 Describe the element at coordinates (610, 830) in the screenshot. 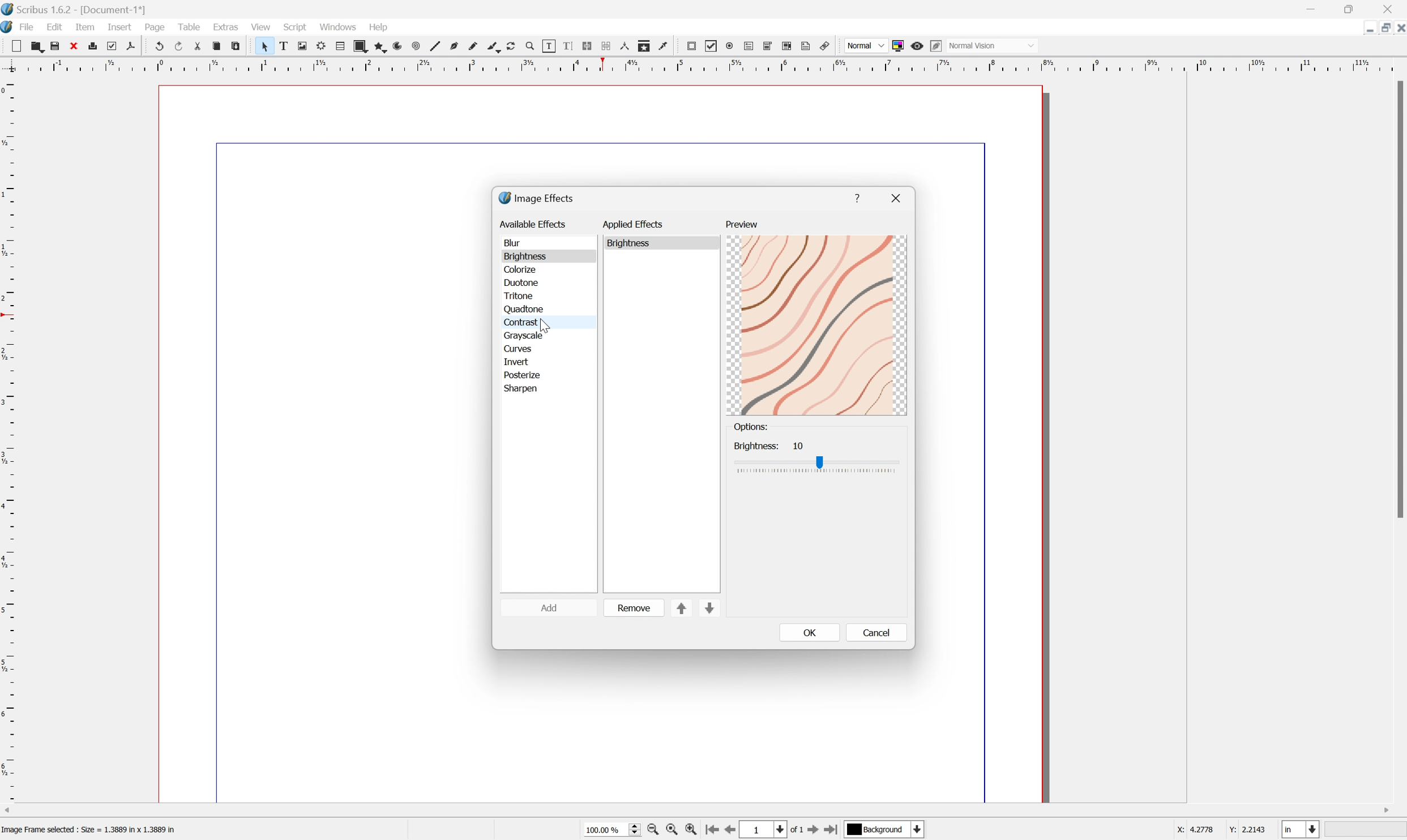

I see `Zoom 100%` at that location.